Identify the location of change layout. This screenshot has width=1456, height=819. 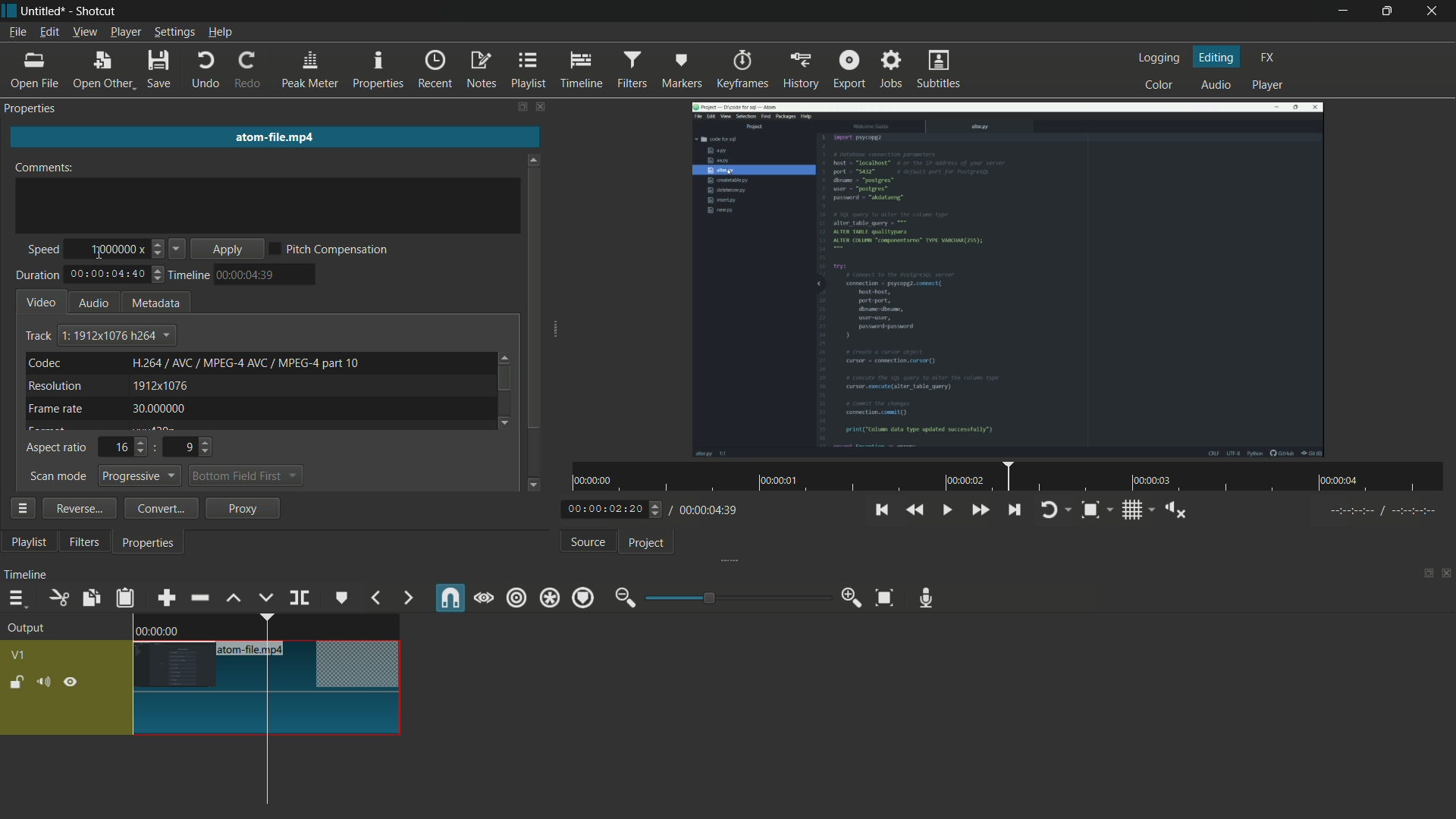
(1423, 576).